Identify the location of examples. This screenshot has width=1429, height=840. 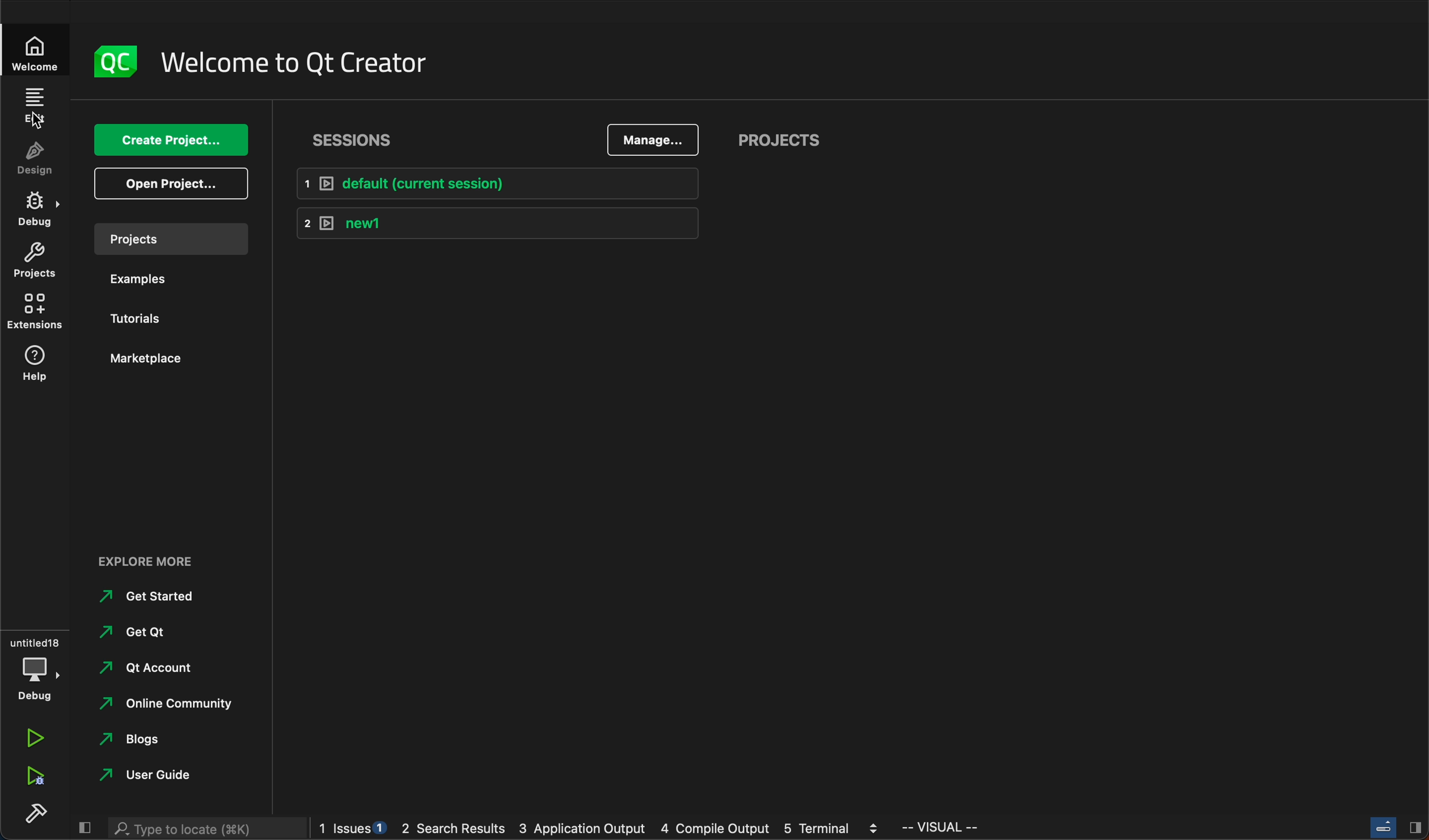
(139, 276).